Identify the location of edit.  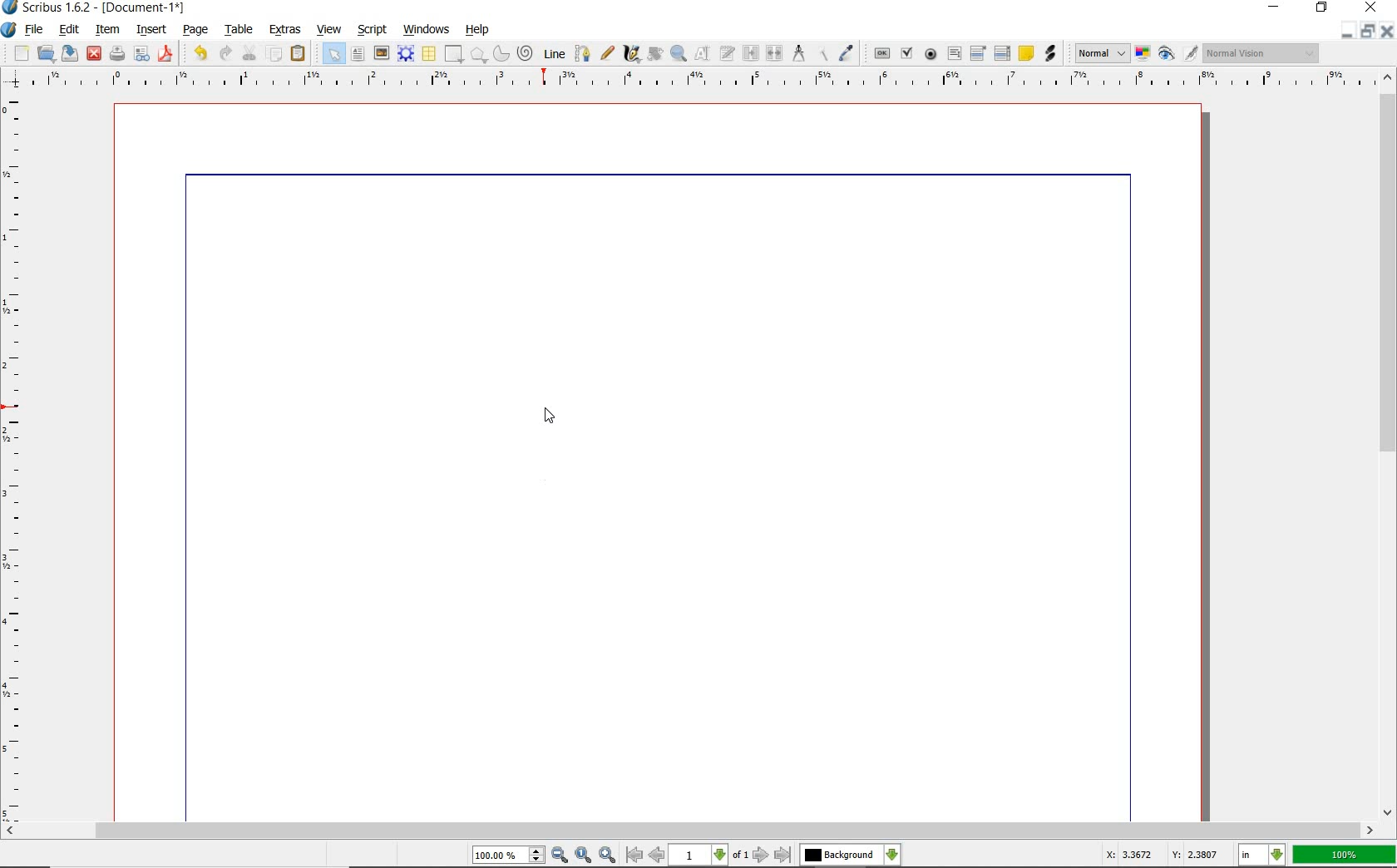
(70, 30).